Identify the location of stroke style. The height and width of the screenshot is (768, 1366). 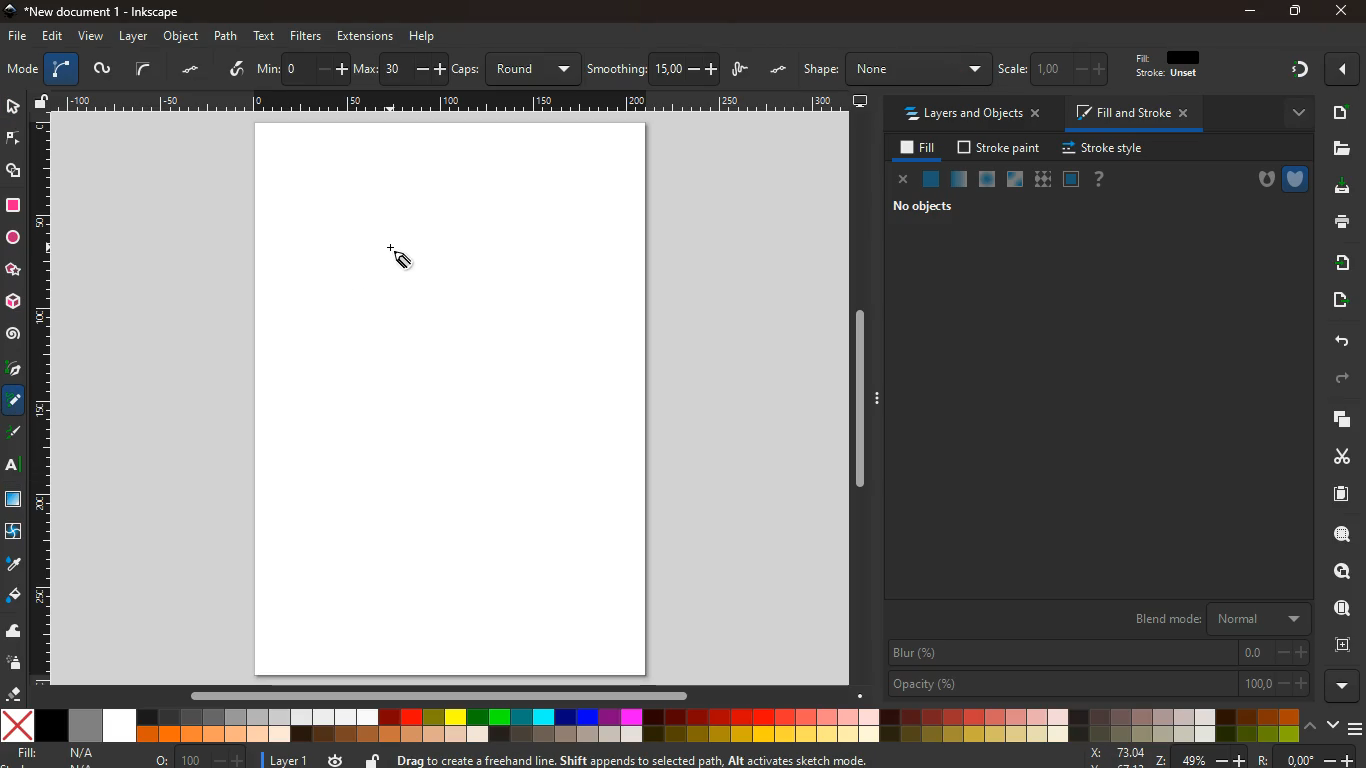
(1106, 149).